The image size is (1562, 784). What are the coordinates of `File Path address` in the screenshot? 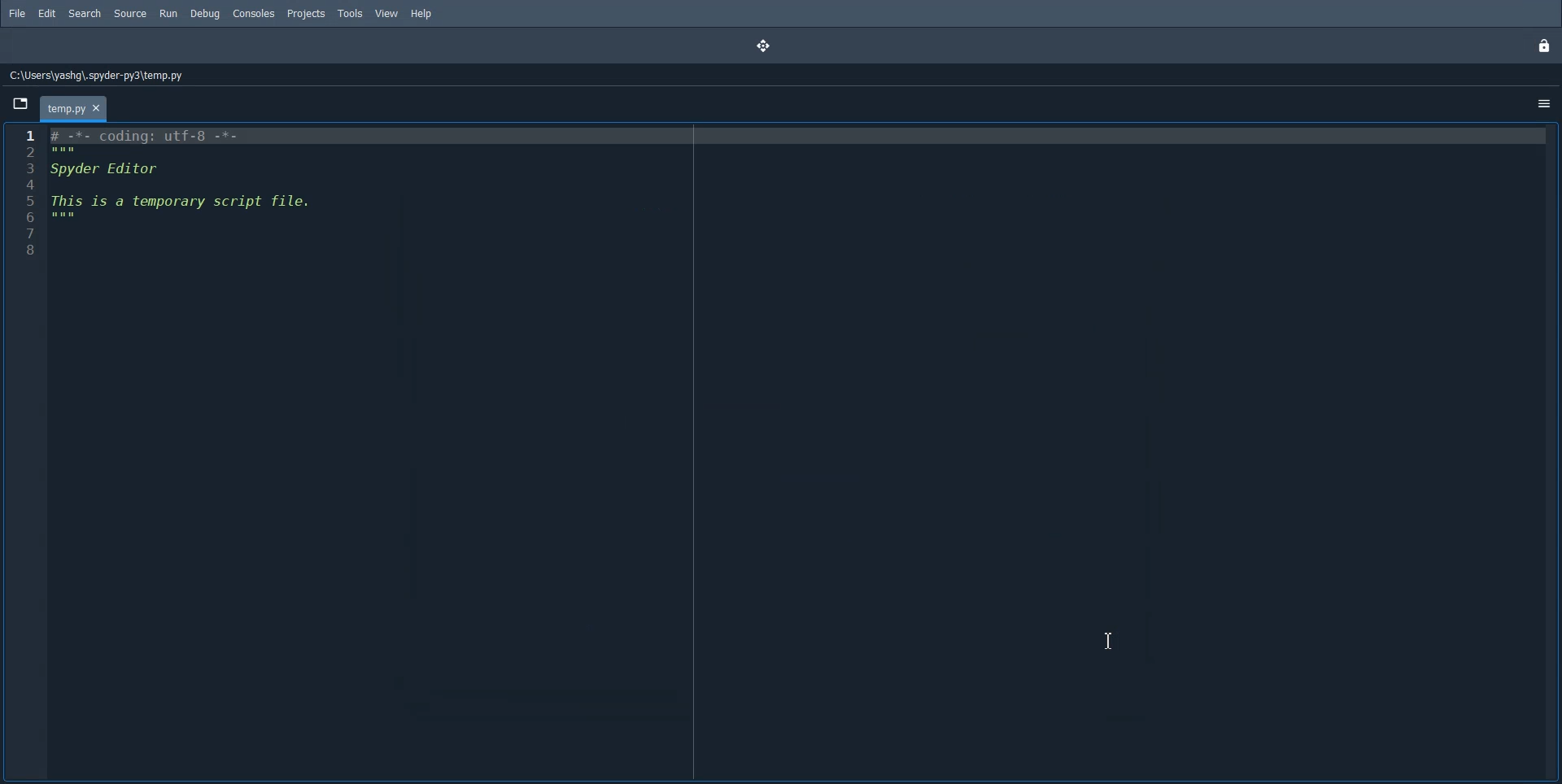 It's located at (94, 76).